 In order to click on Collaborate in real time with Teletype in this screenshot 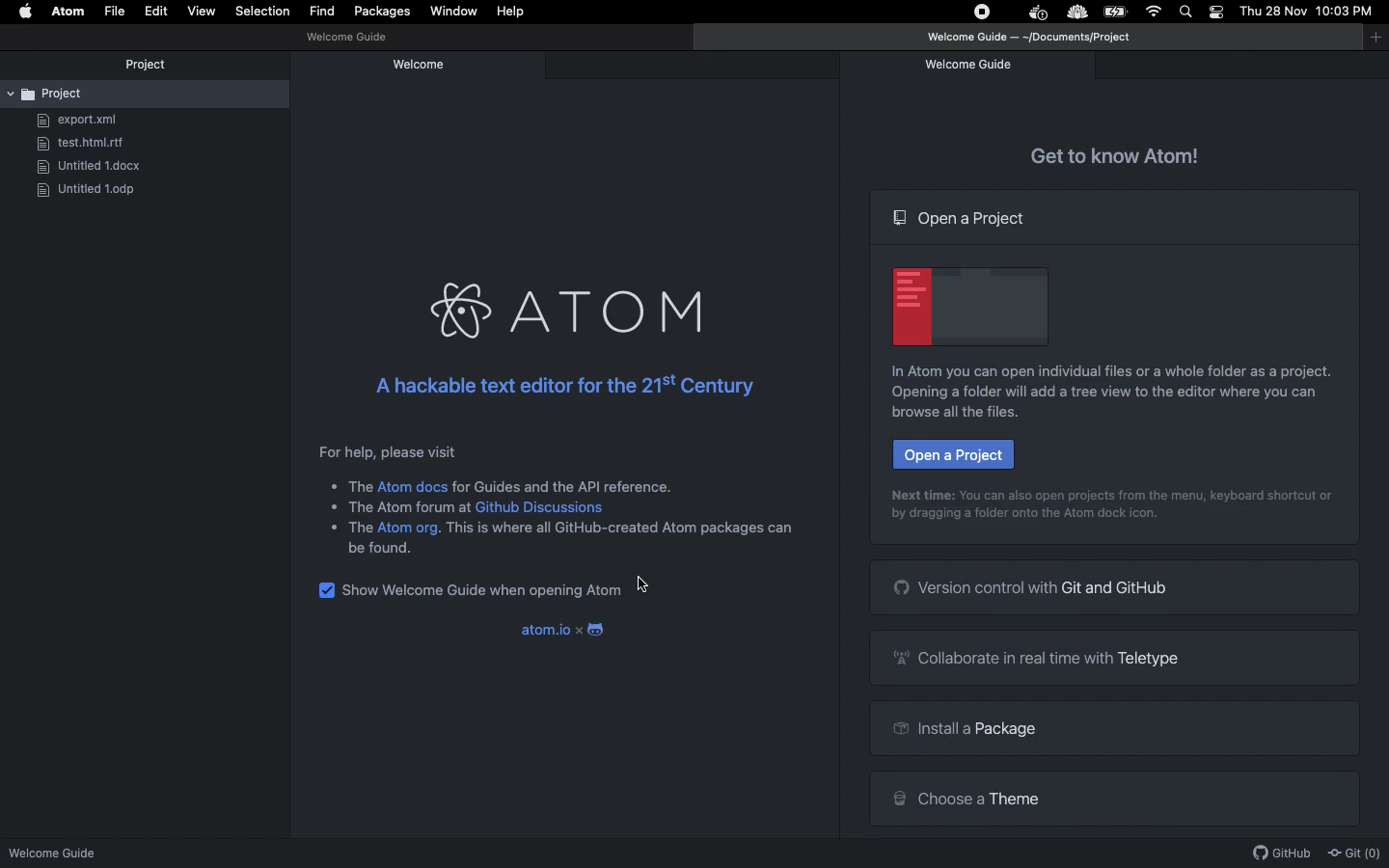, I will do `click(1046, 656)`.